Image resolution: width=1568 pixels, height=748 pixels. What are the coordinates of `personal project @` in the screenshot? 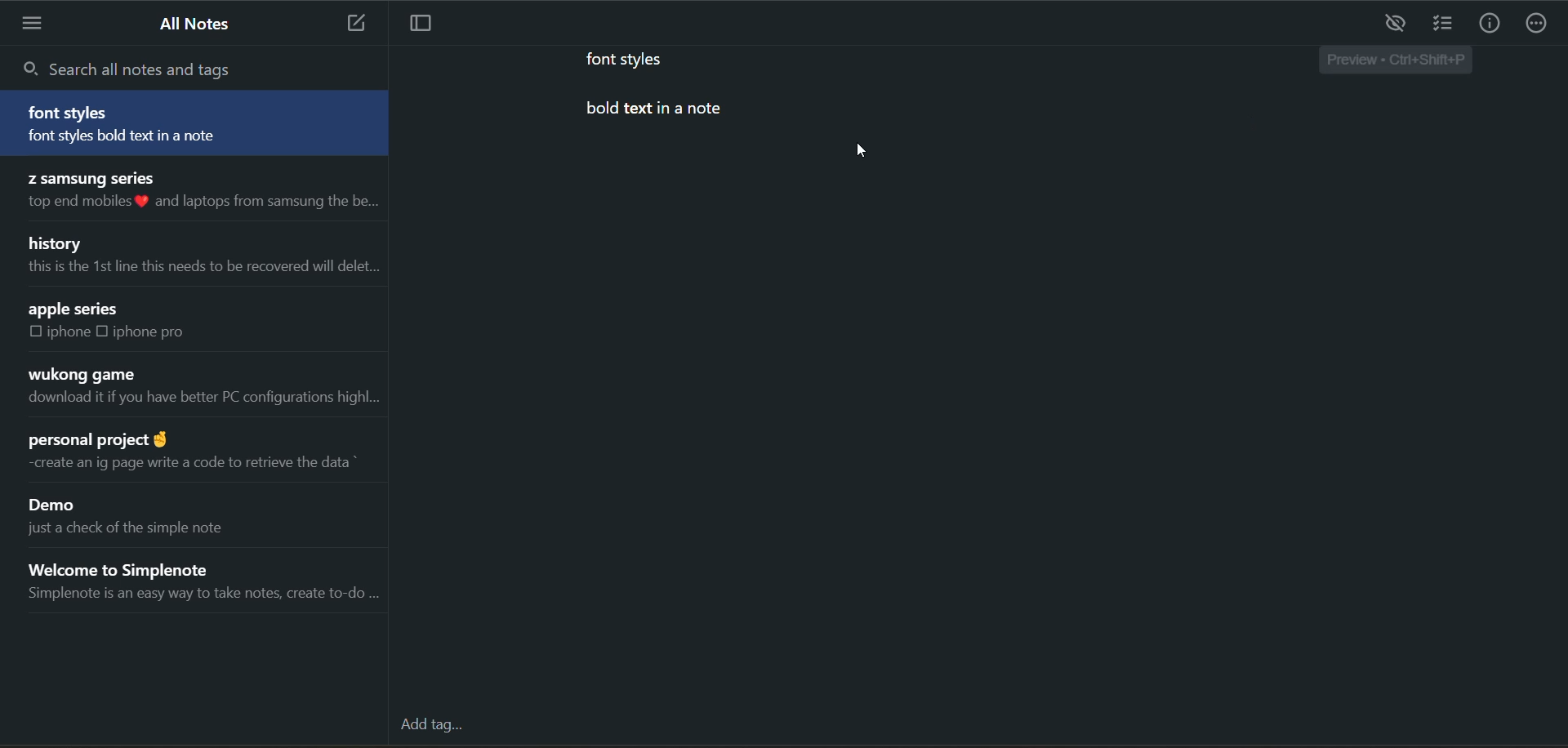 It's located at (96, 435).